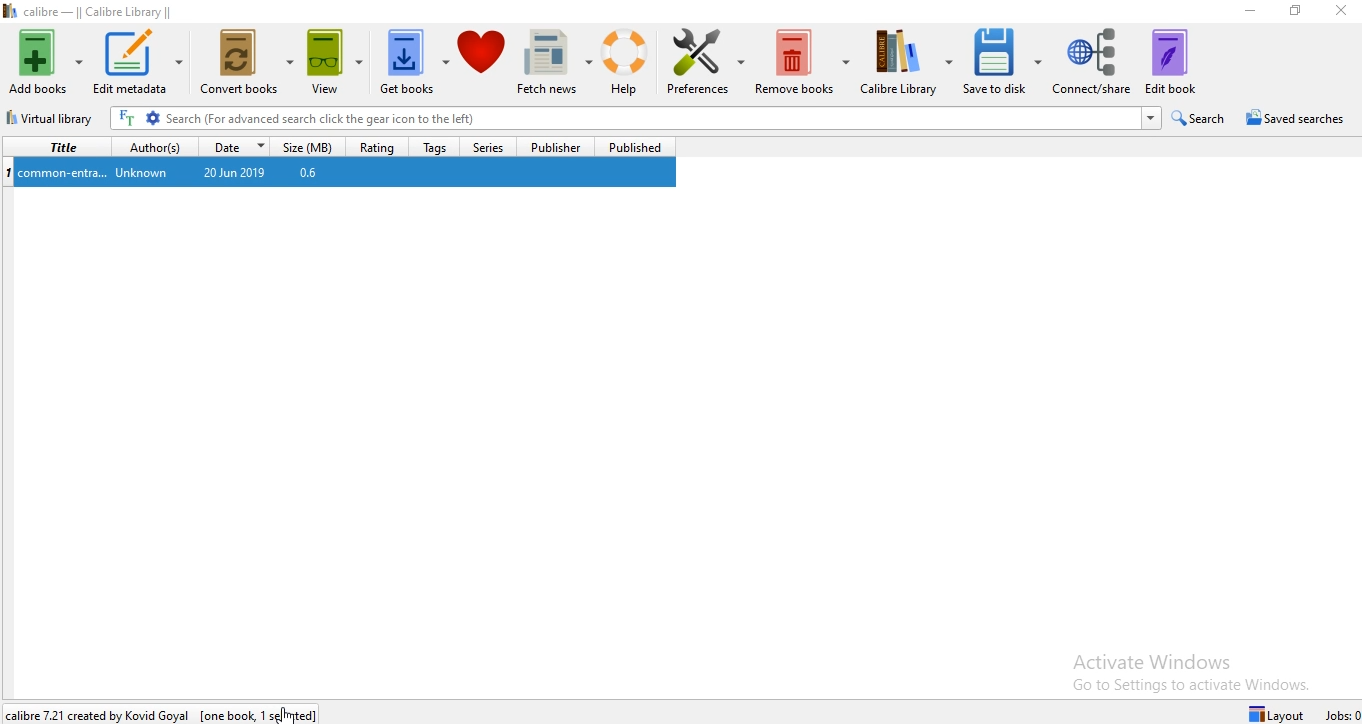  Describe the element at coordinates (910, 62) in the screenshot. I see `Calibre Library` at that location.